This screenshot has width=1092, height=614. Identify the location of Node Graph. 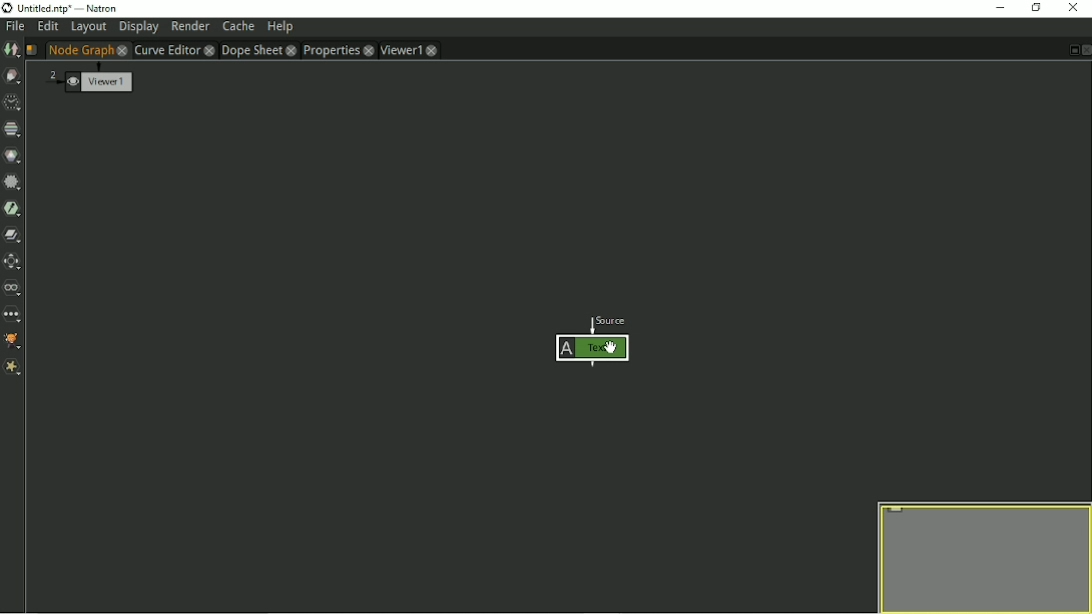
(80, 50).